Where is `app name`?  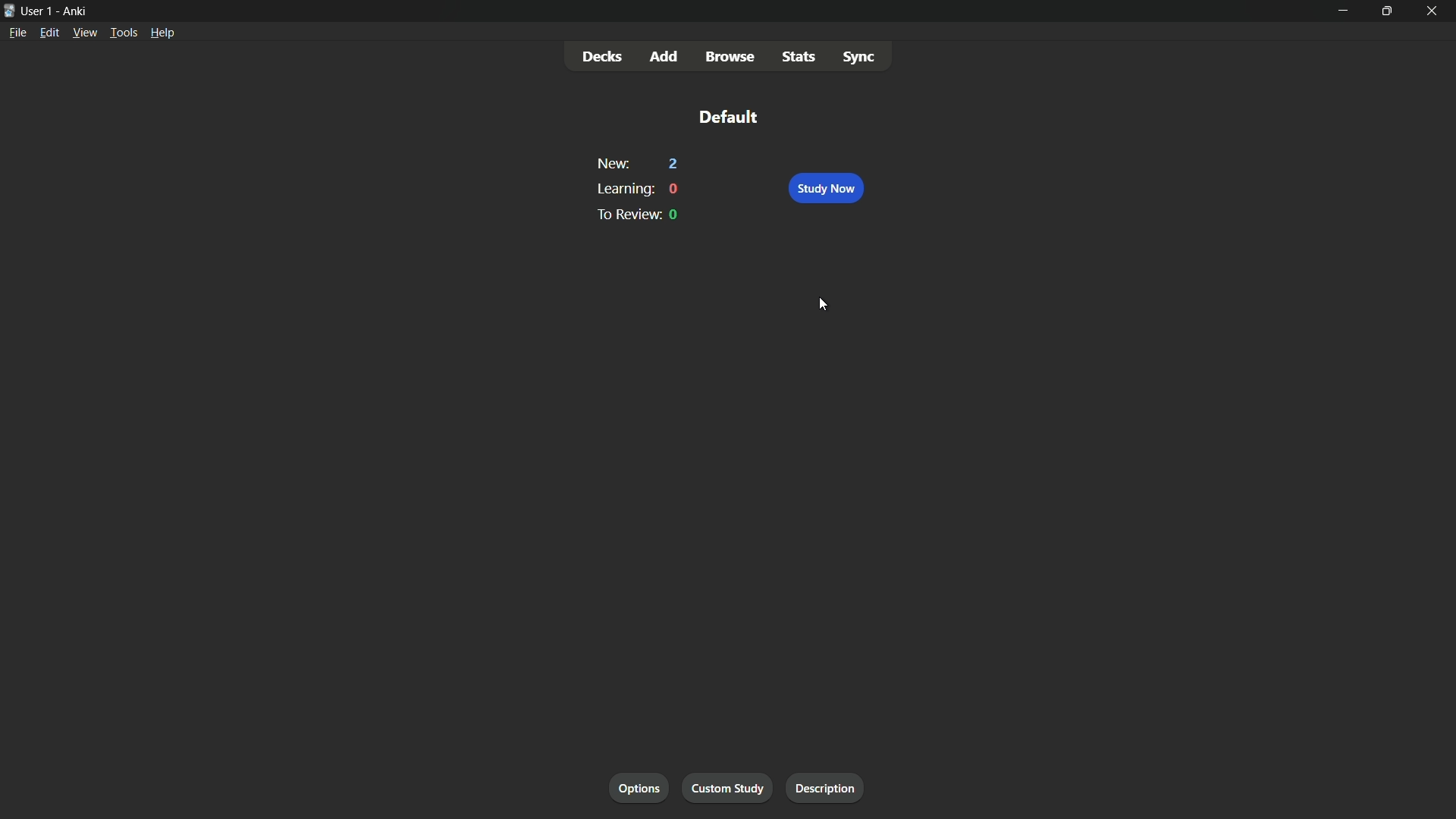 app name is located at coordinates (77, 9).